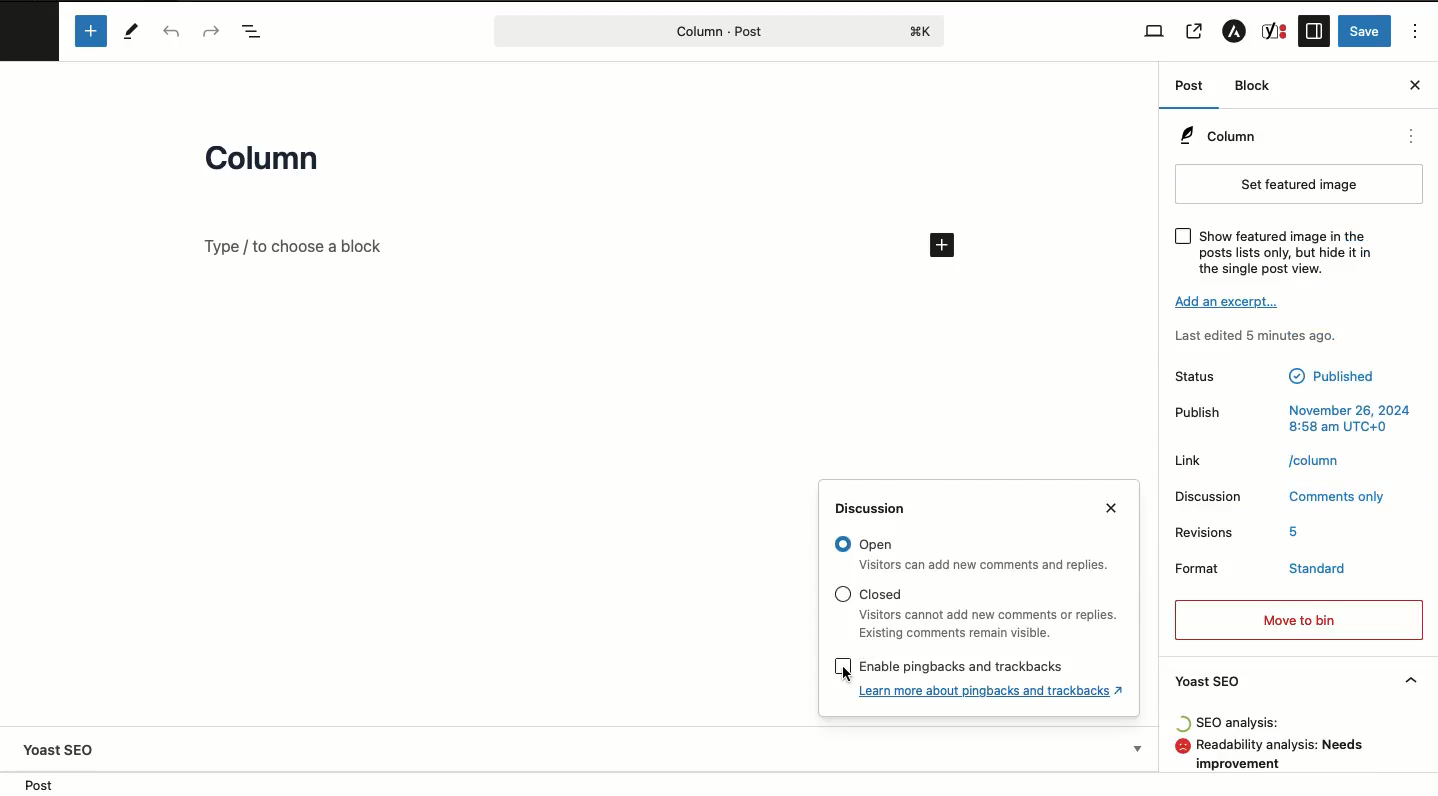 The width and height of the screenshot is (1438, 796). What do you see at coordinates (294, 246) in the screenshot?
I see `Add new block` at bounding box center [294, 246].